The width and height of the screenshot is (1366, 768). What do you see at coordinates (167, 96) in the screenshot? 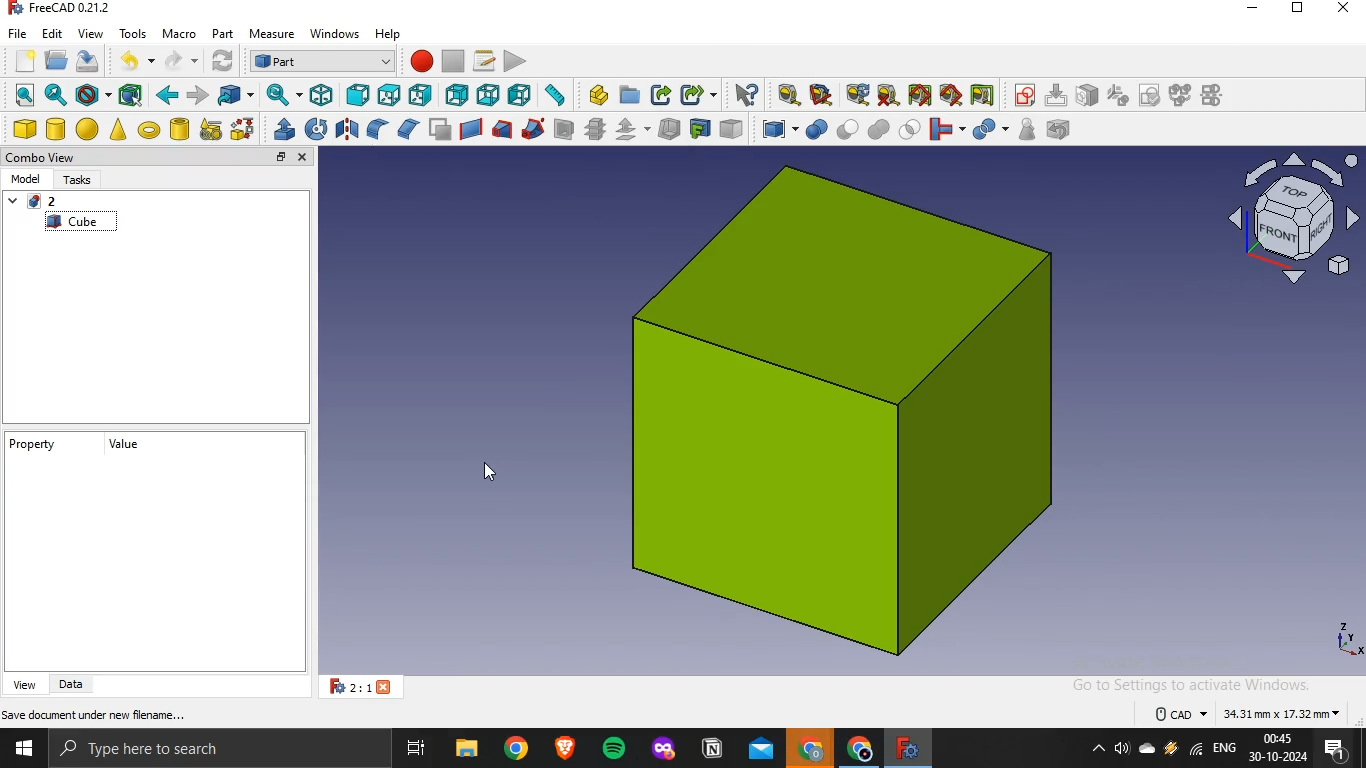
I see `backward` at bounding box center [167, 96].